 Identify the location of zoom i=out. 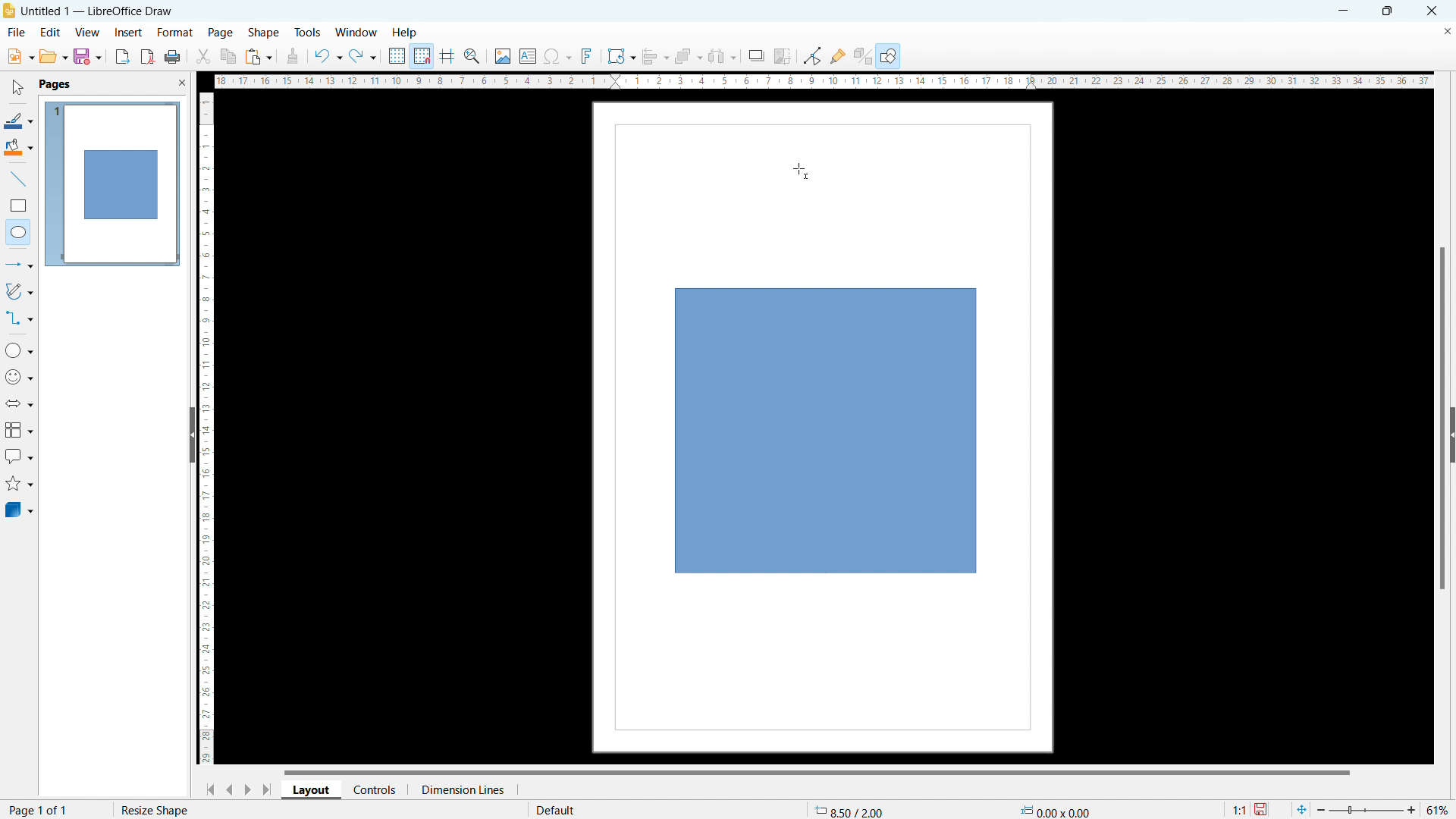
(1323, 808).